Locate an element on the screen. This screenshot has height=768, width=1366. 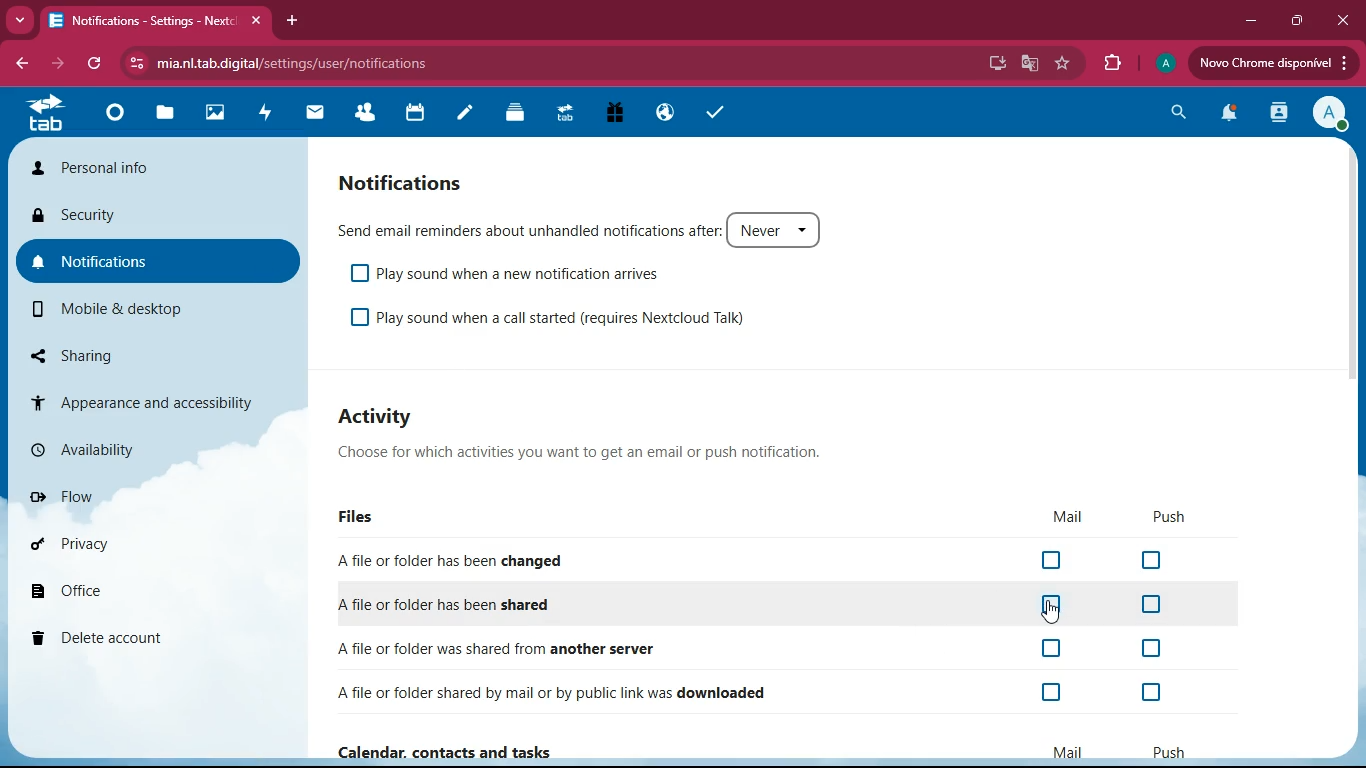
tab is located at coordinates (46, 114).